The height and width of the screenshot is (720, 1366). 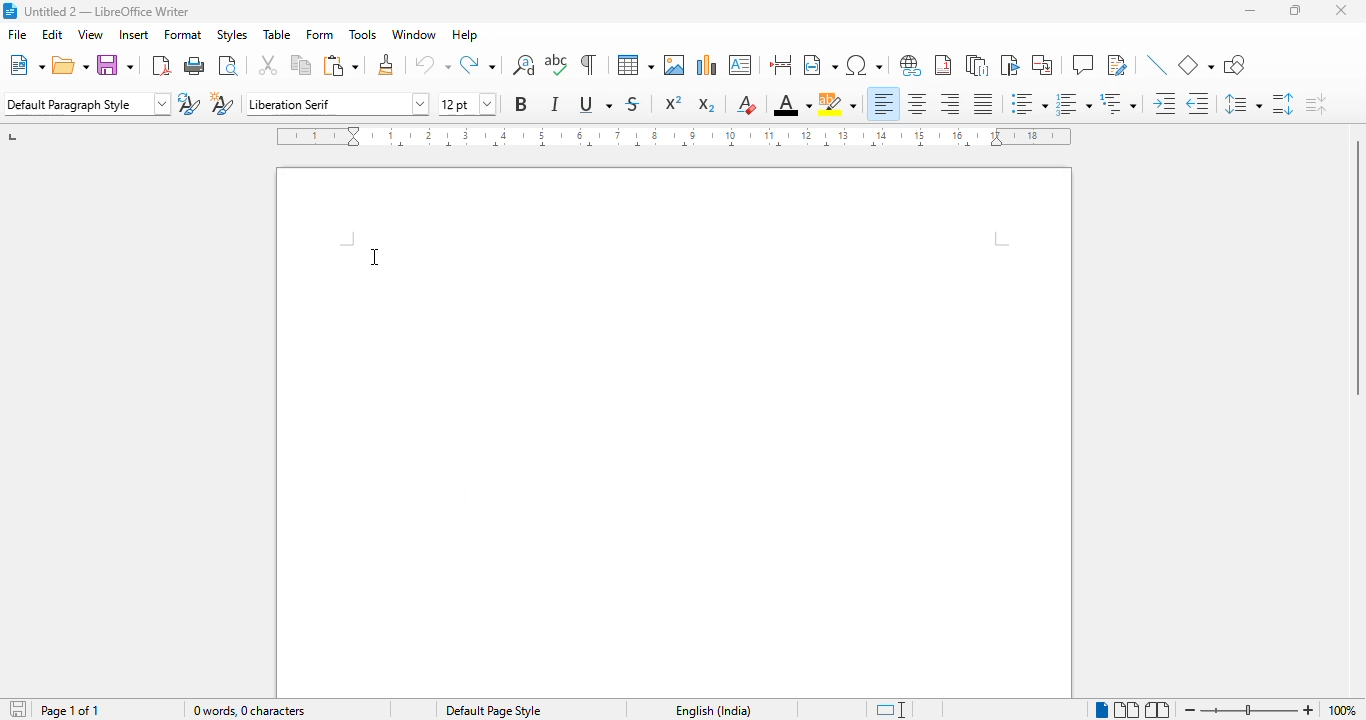 I want to click on increase paragraph spacing, so click(x=1284, y=104).